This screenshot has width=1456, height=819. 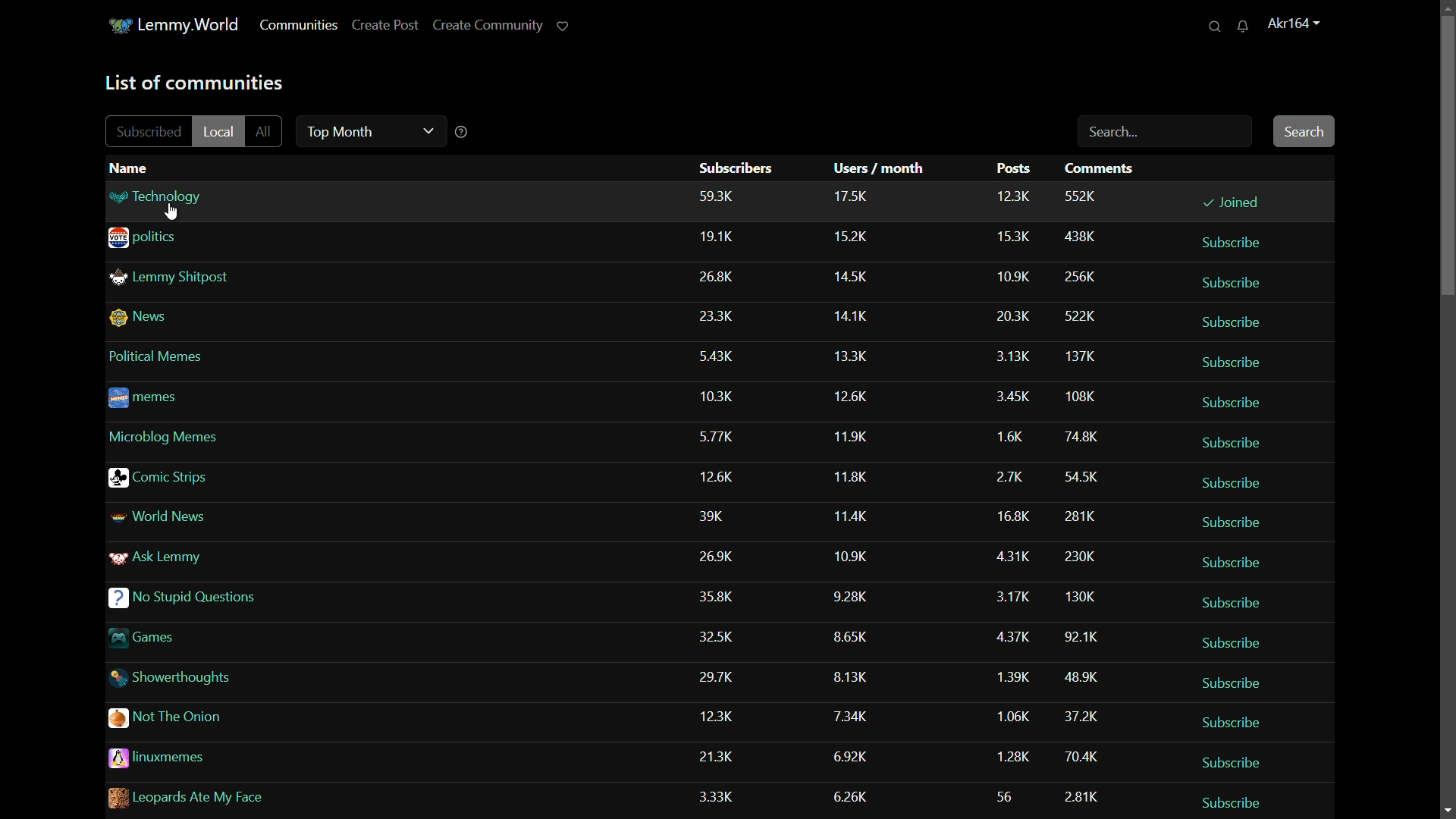 I want to click on communities name, so click(x=184, y=199).